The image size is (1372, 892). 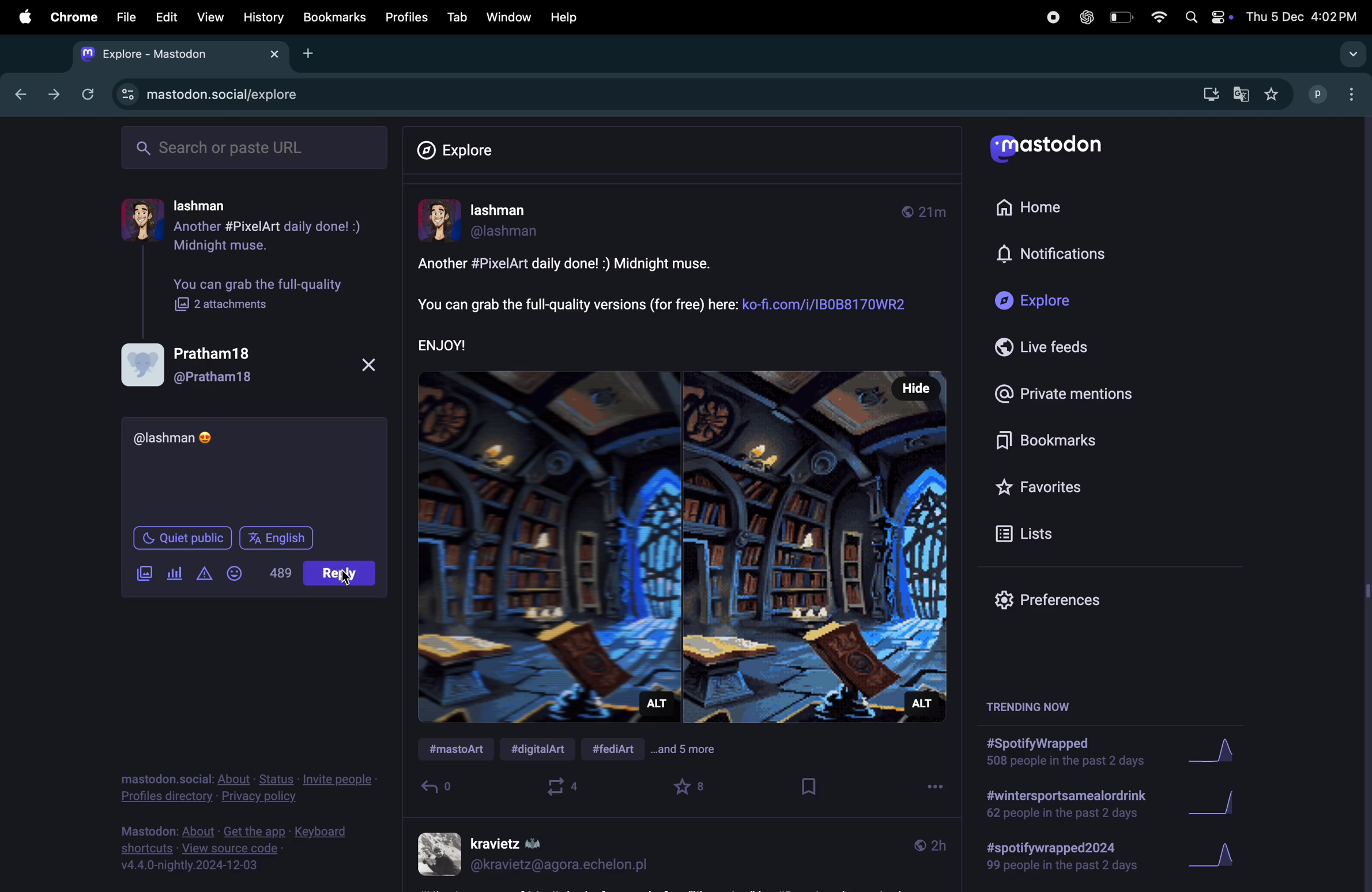 What do you see at coordinates (1060, 599) in the screenshot?
I see `prefrences` at bounding box center [1060, 599].